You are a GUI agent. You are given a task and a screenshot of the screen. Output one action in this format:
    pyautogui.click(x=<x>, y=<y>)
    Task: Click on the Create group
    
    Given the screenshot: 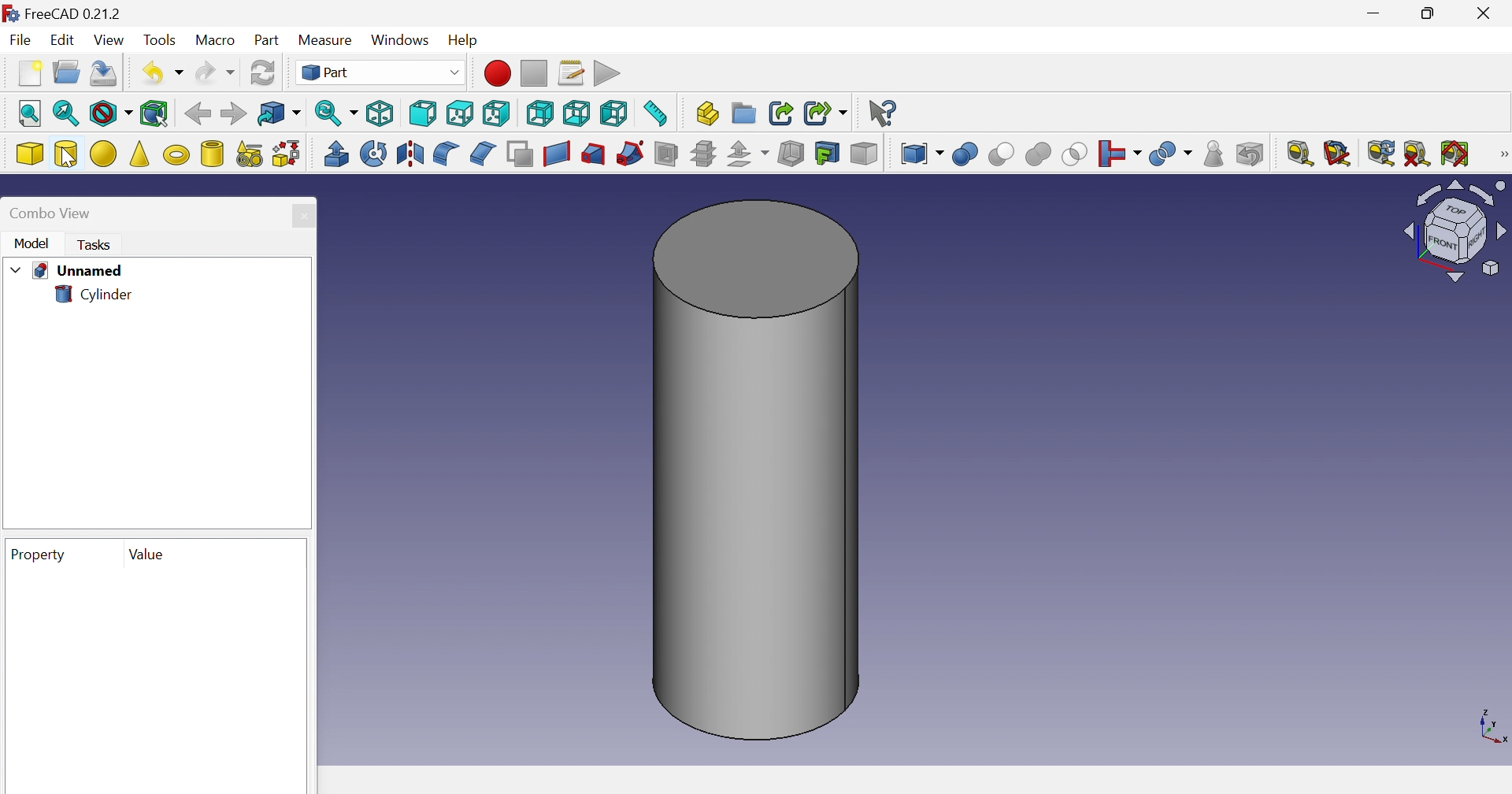 What is the action you would take?
    pyautogui.click(x=744, y=113)
    